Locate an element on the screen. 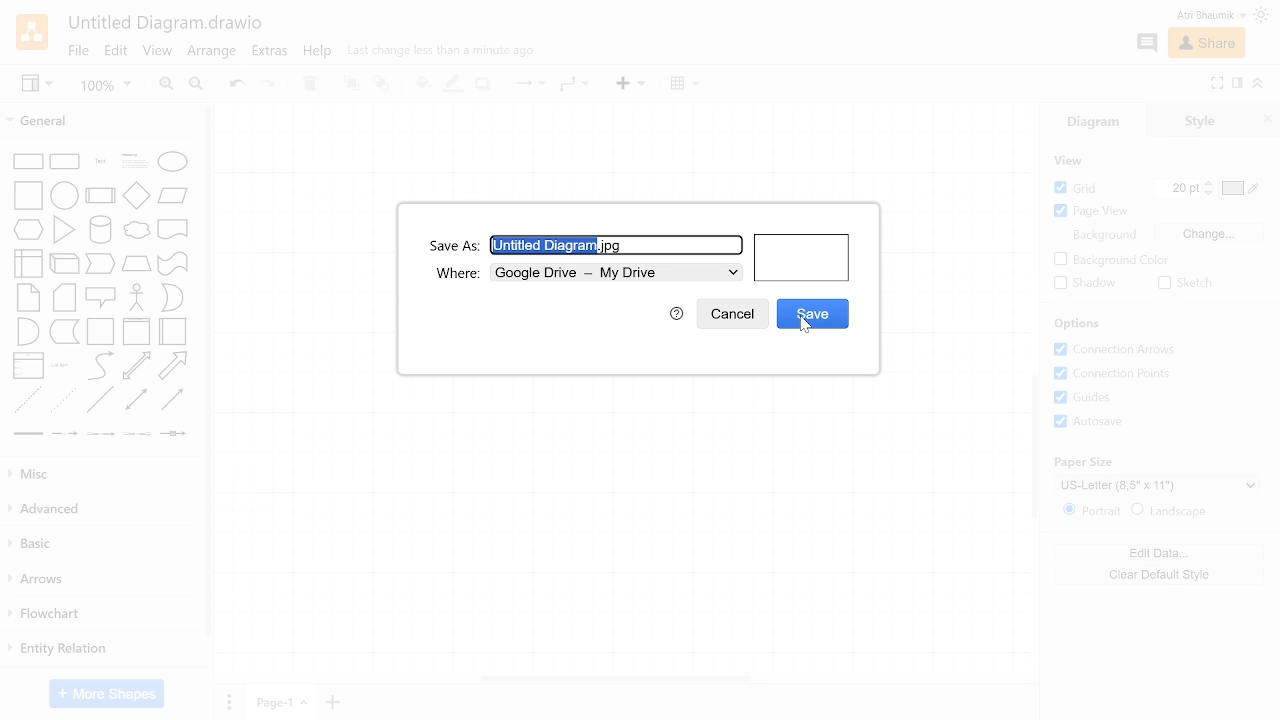  Share is located at coordinates (1210, 44).